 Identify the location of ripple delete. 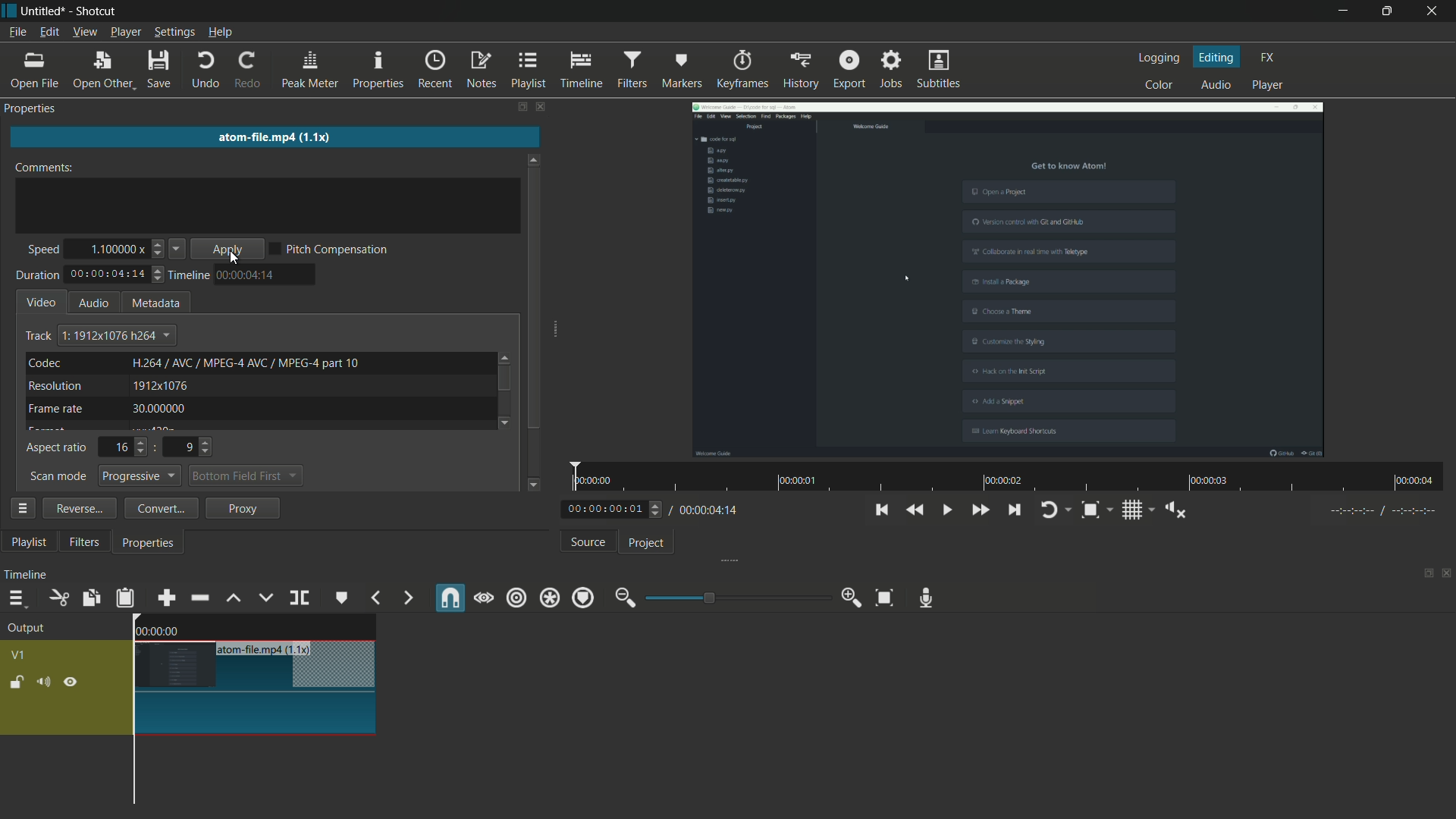
(199, 598).